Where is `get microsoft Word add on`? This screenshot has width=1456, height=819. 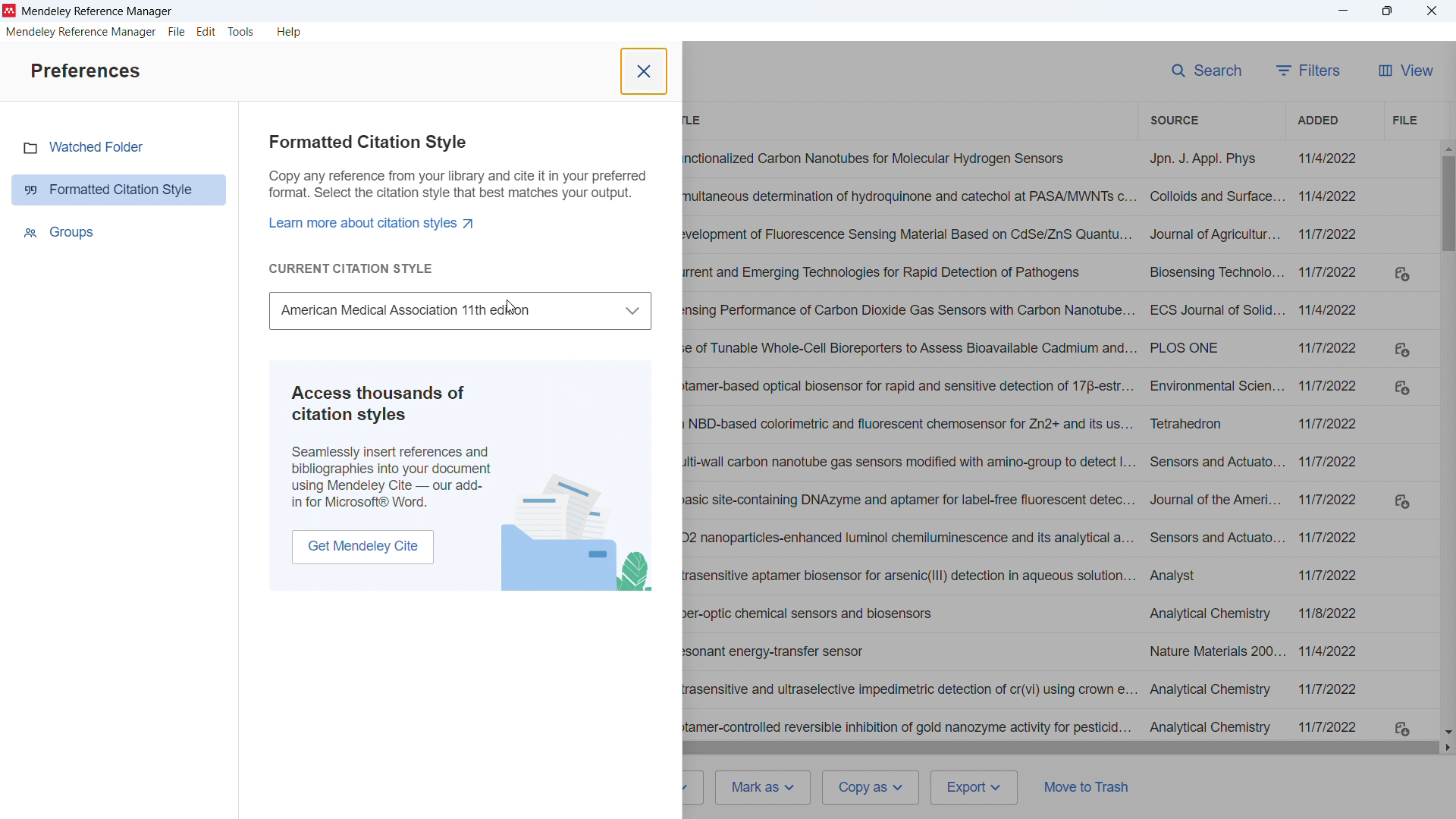 get microsoft Word add on is located at coordinates (362, 547).